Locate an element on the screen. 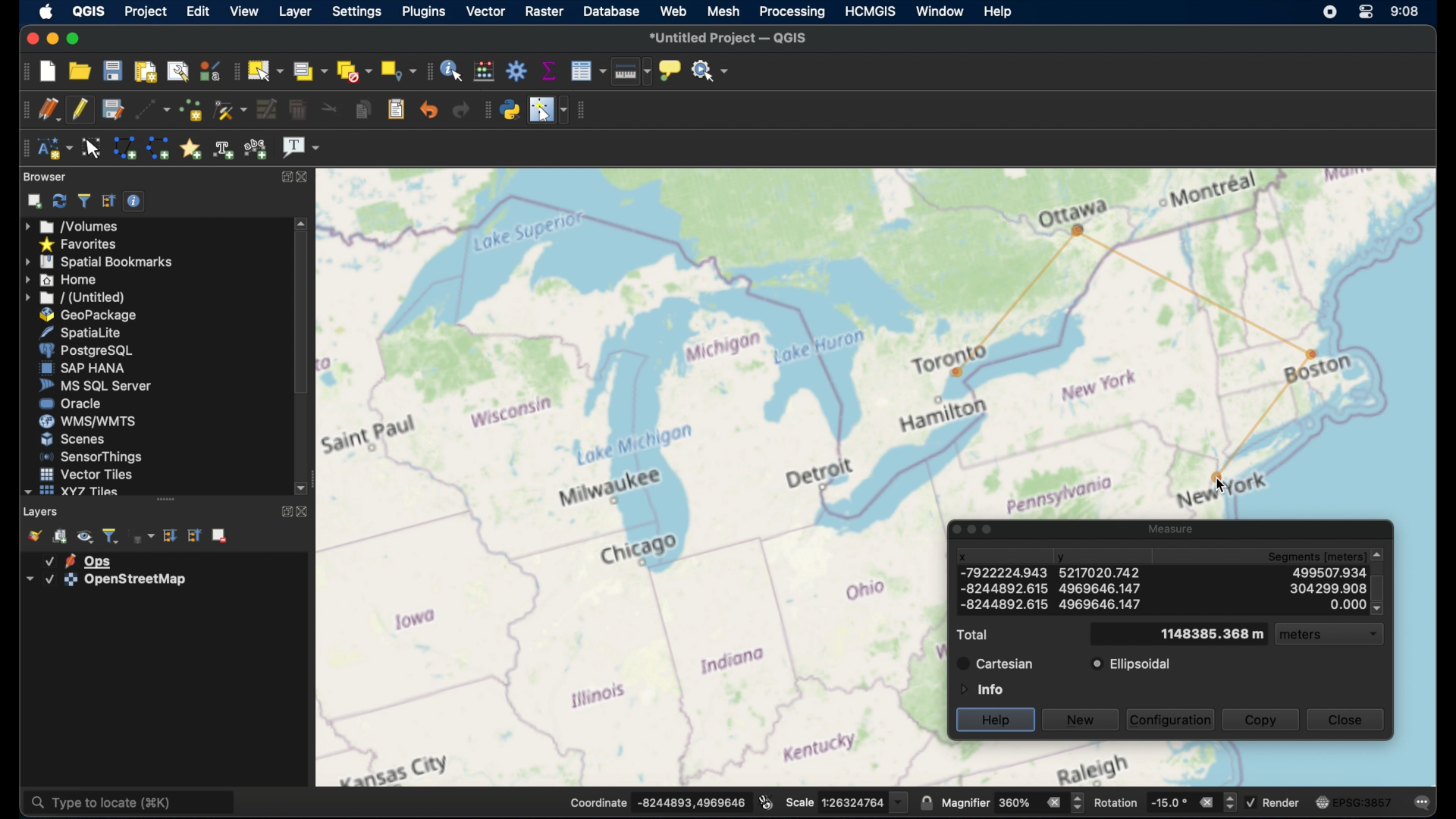 The height and width of the screenshot is (819, 1456). open field calculator is located at coordinates (486, 70).